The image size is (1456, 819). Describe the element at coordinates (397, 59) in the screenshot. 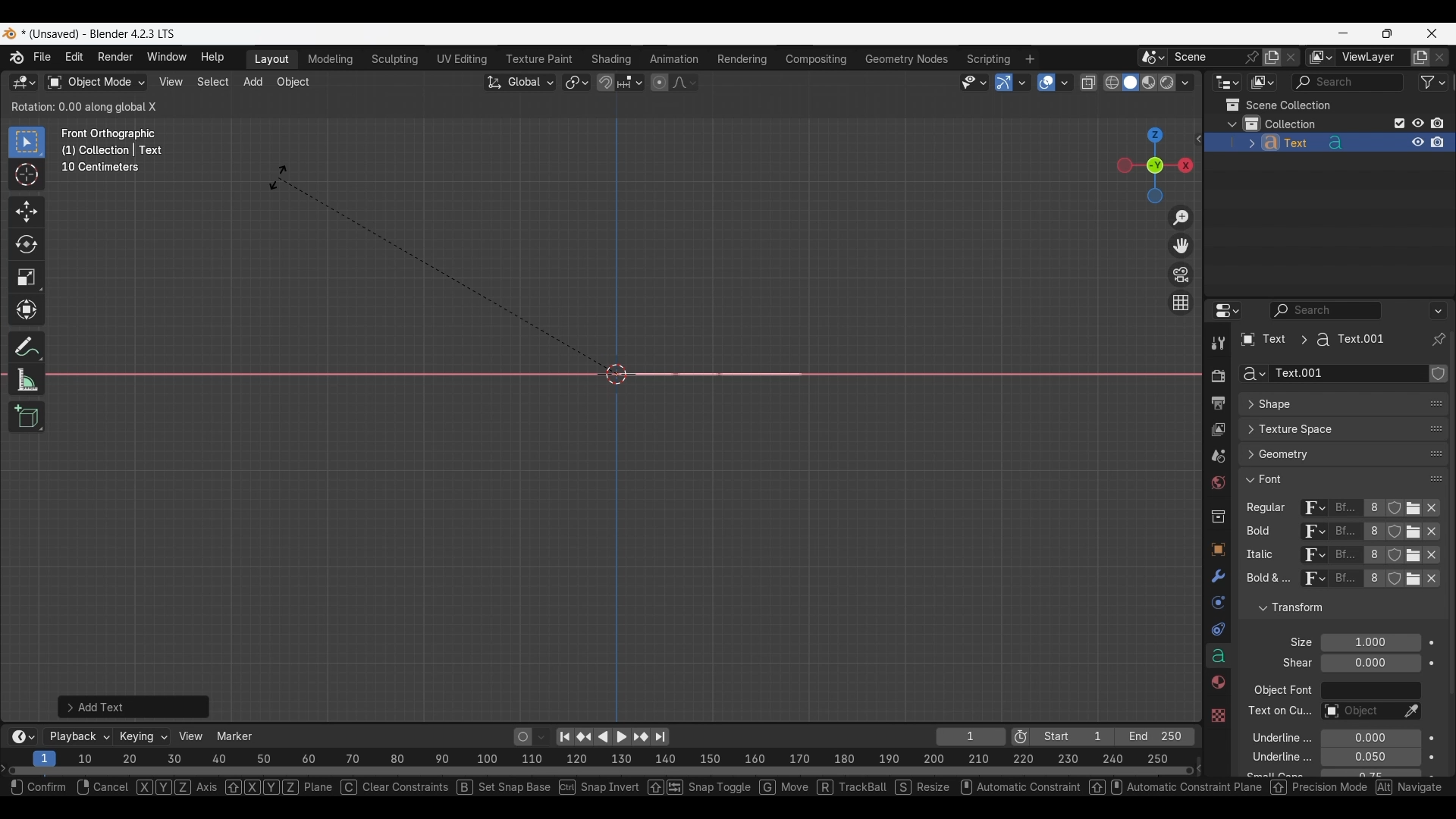

I see `Sculpting workspace` at that location.